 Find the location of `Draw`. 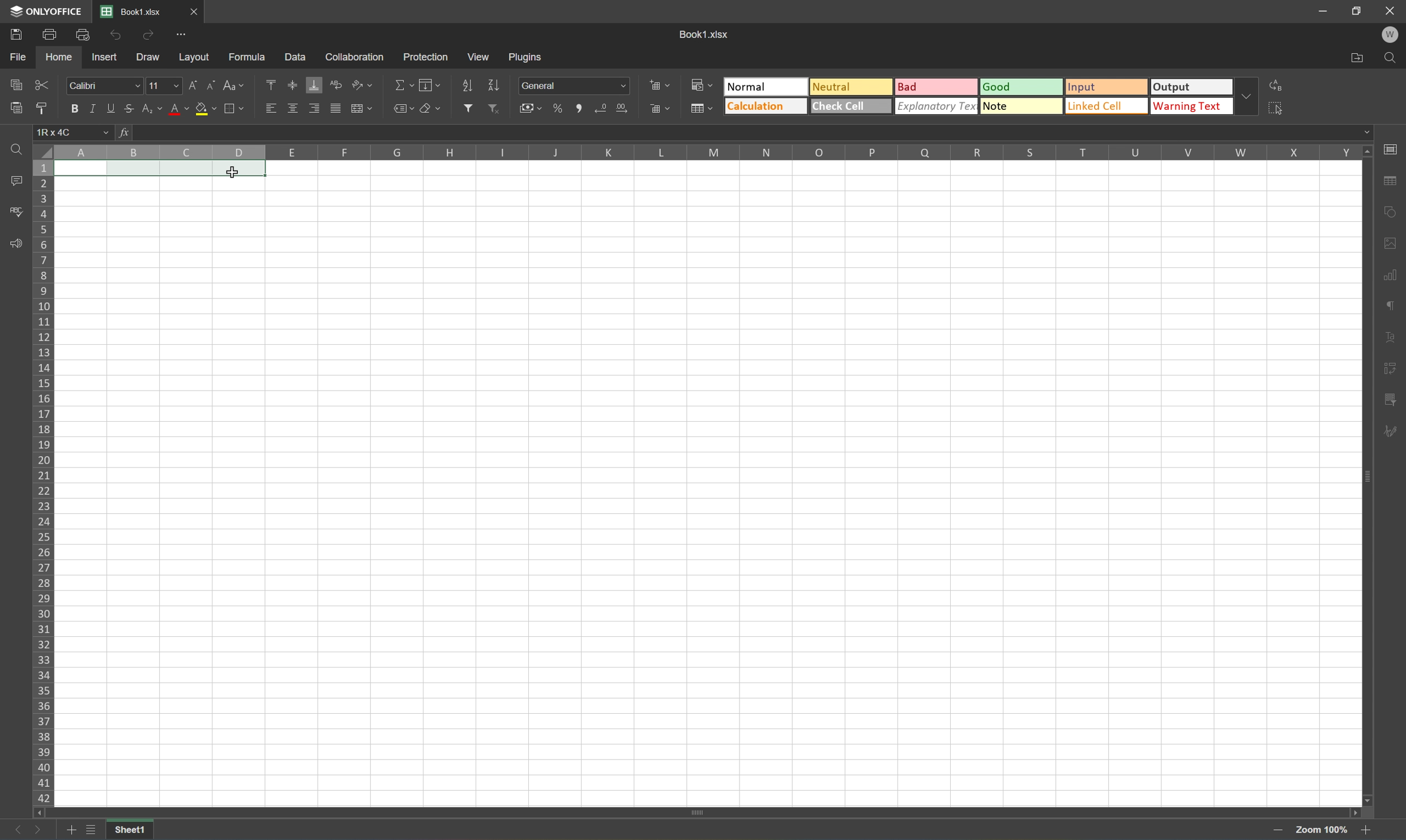

Draw is located at coordinates (149, 59).